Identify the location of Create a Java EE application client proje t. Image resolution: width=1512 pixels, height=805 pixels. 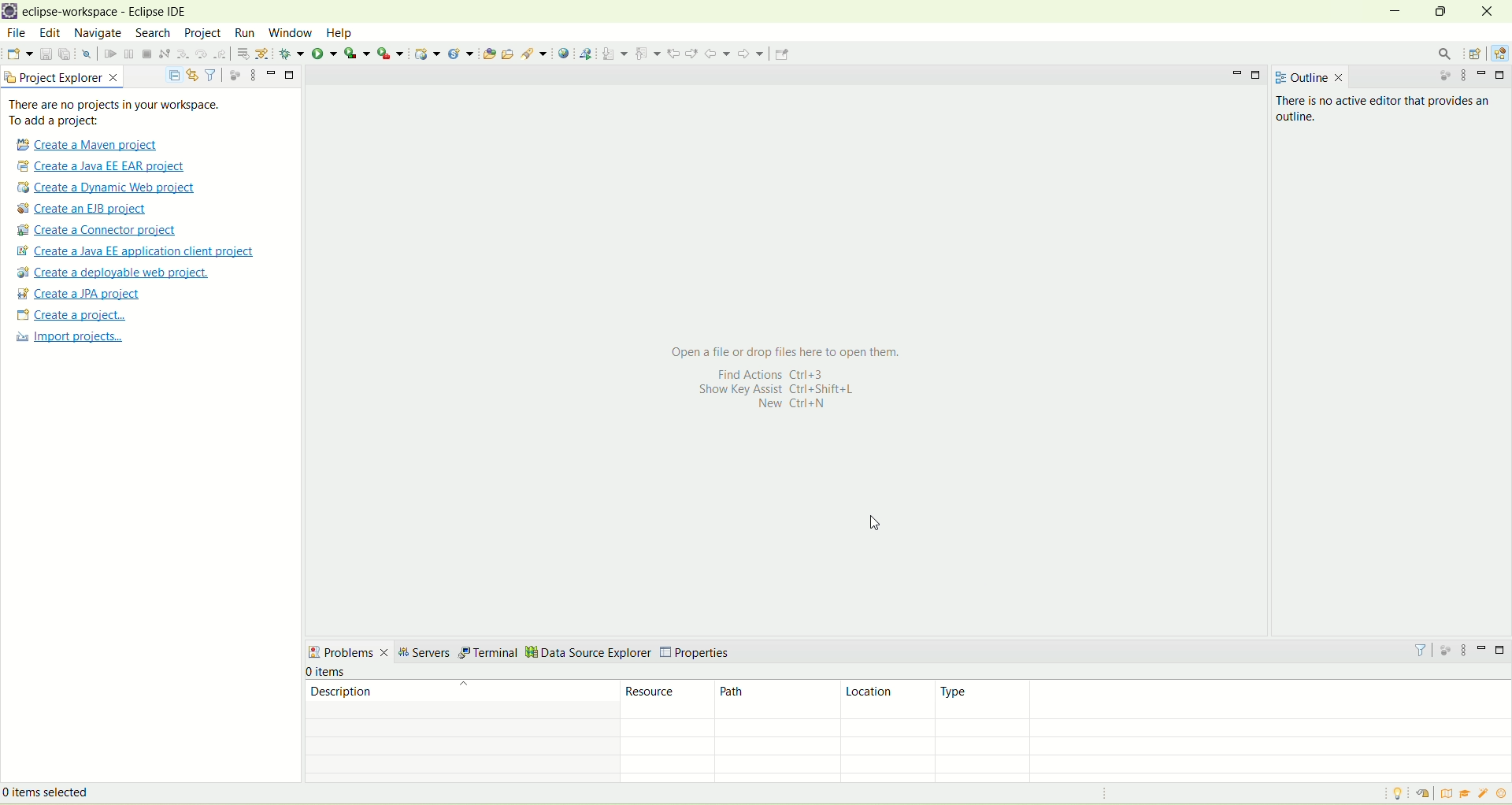
(139, 251).